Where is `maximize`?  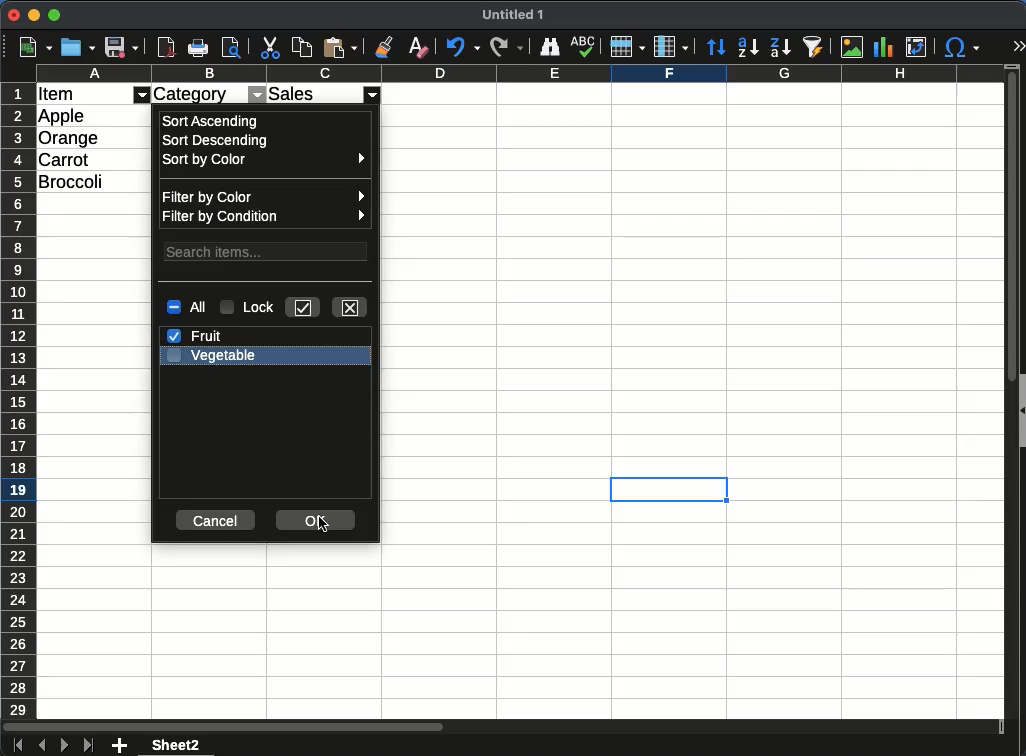
maximize is located at coordinates (53, 15).